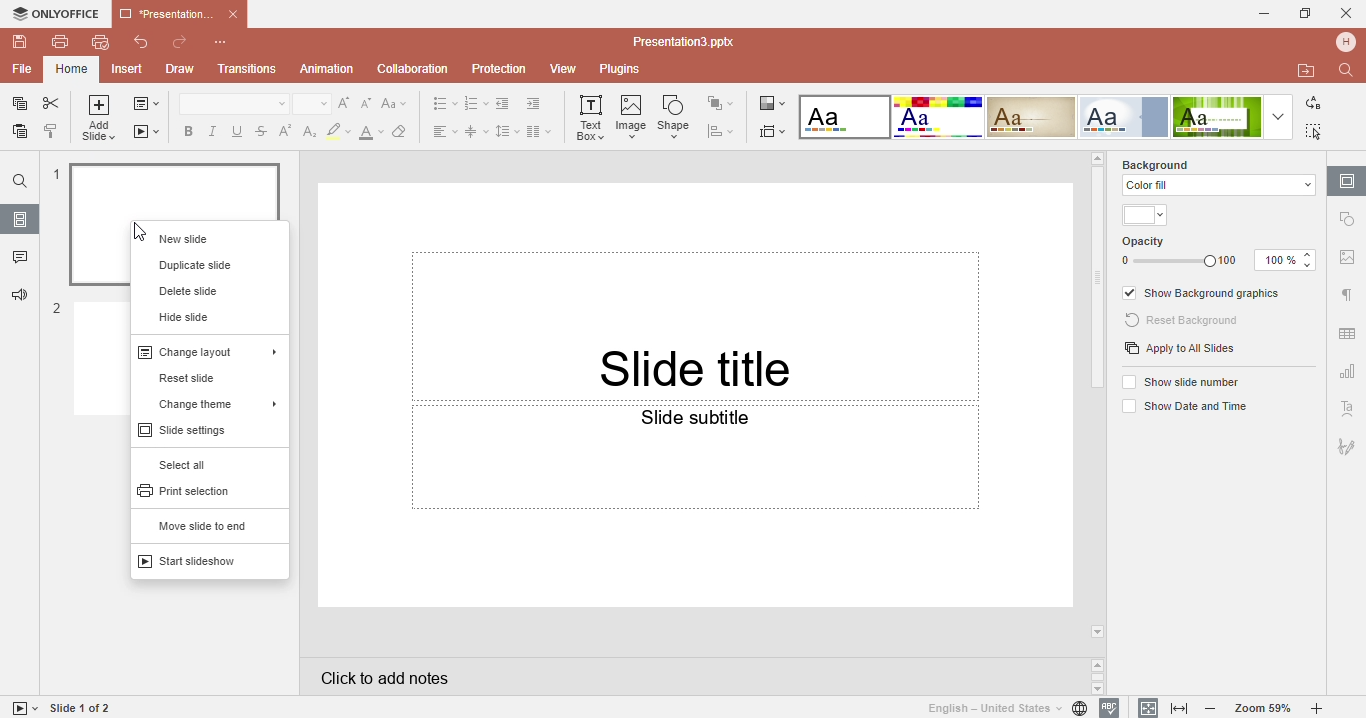  What do you see at coordinates (403, 130) in the screenshot?
I see `Clear style` at bounding box center [403, 130].